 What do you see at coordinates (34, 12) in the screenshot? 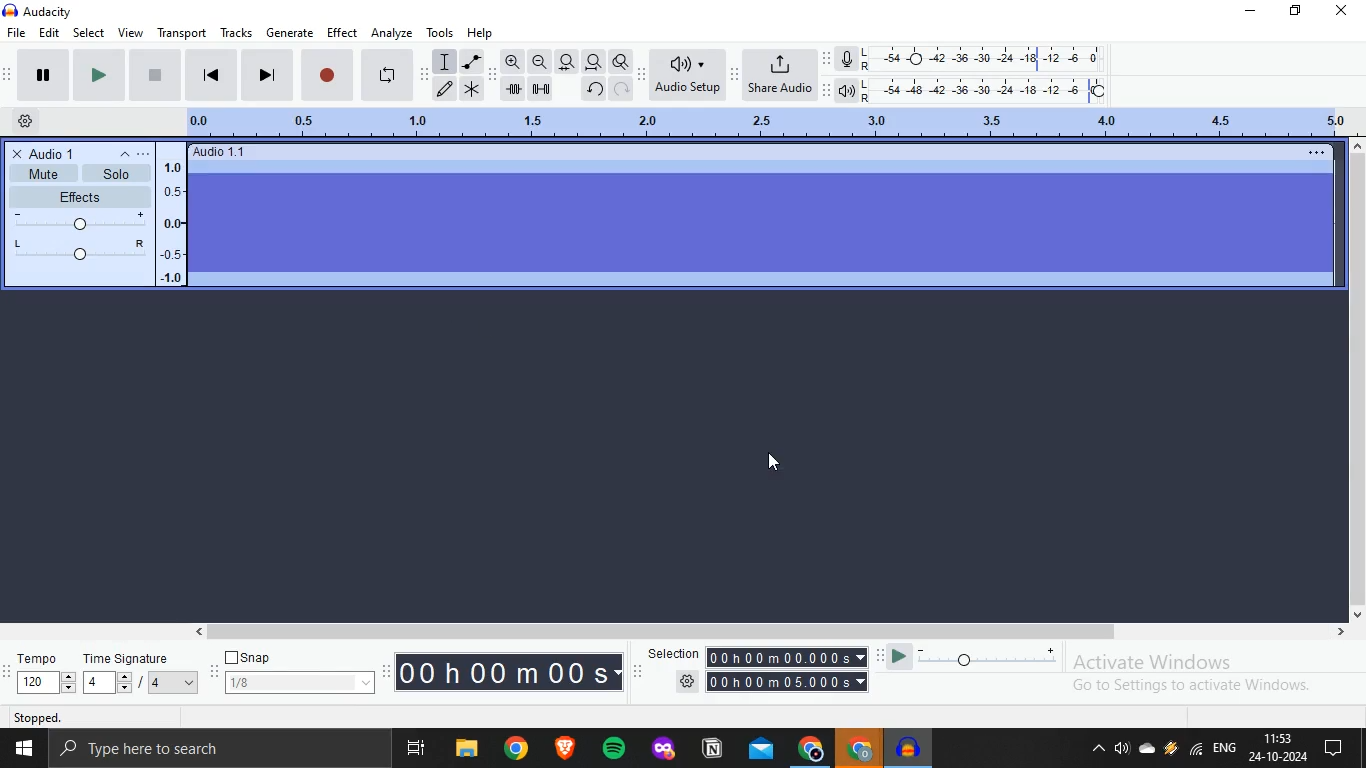
I see `Audacity` at bounding box center [34, 12].